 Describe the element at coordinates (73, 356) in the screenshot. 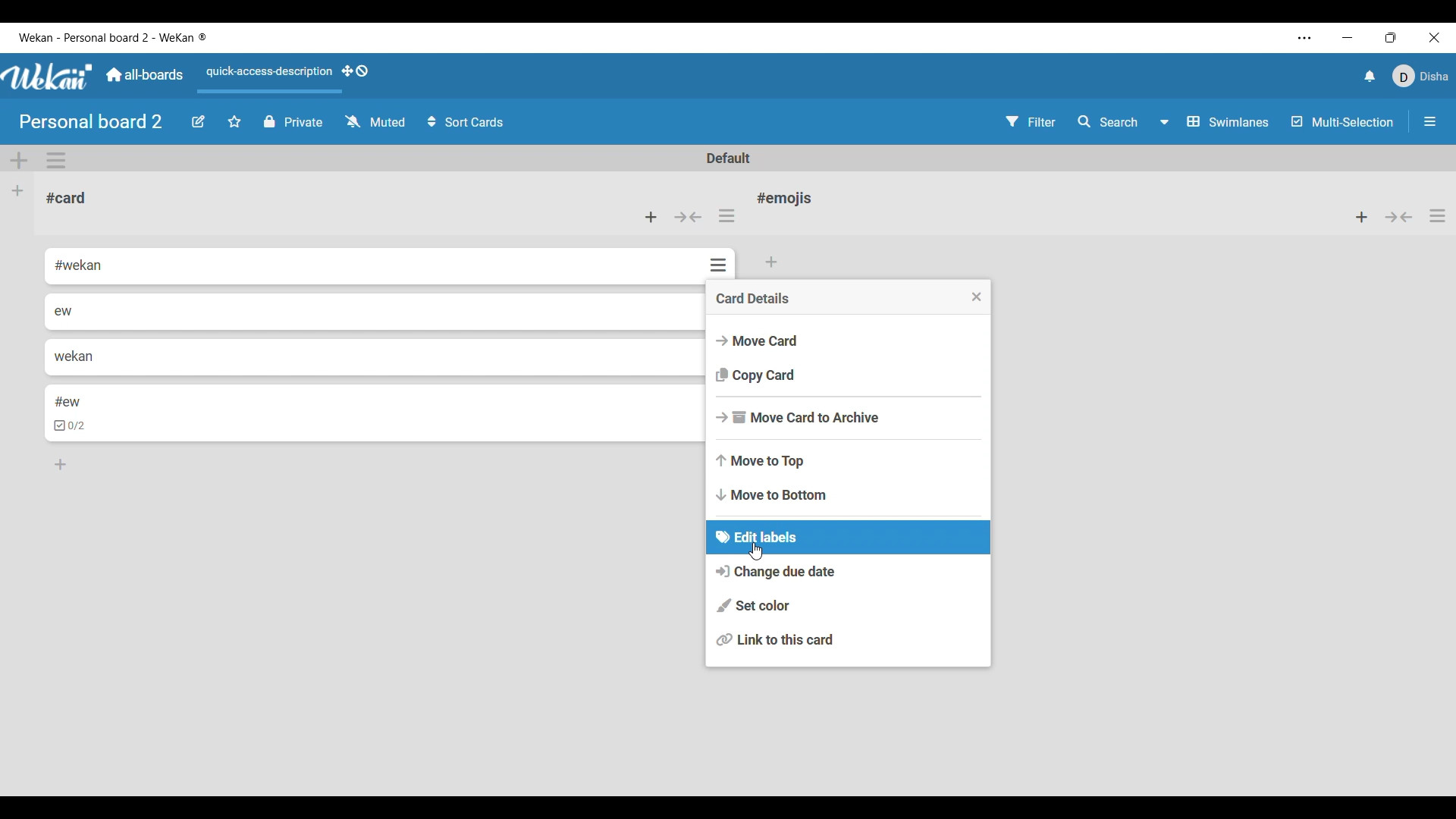

I see `wekan` at that location.